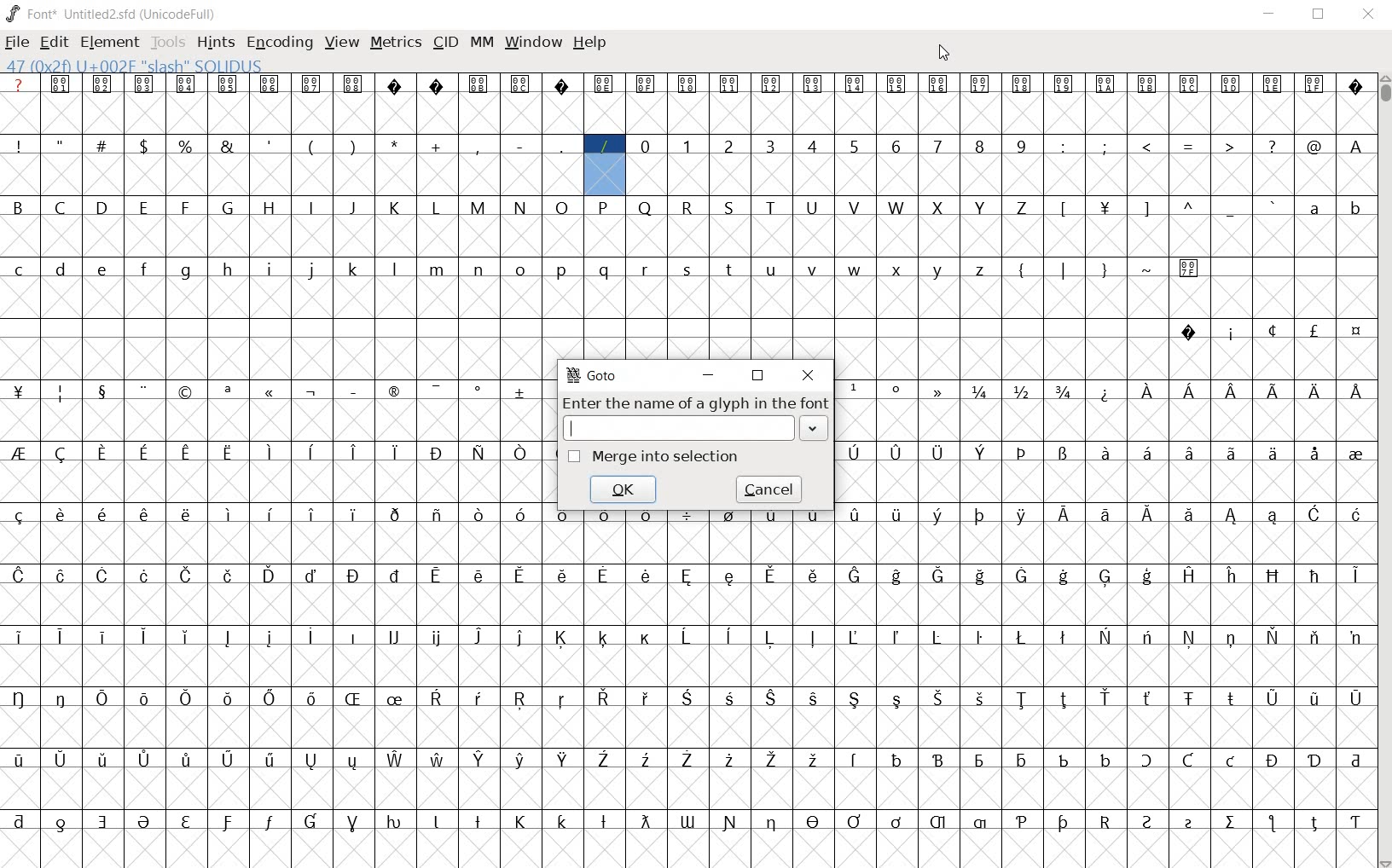  What do you see at coordinates (100, 11) in the screenshot?
I see `font name` at bounding box center [100, 11].